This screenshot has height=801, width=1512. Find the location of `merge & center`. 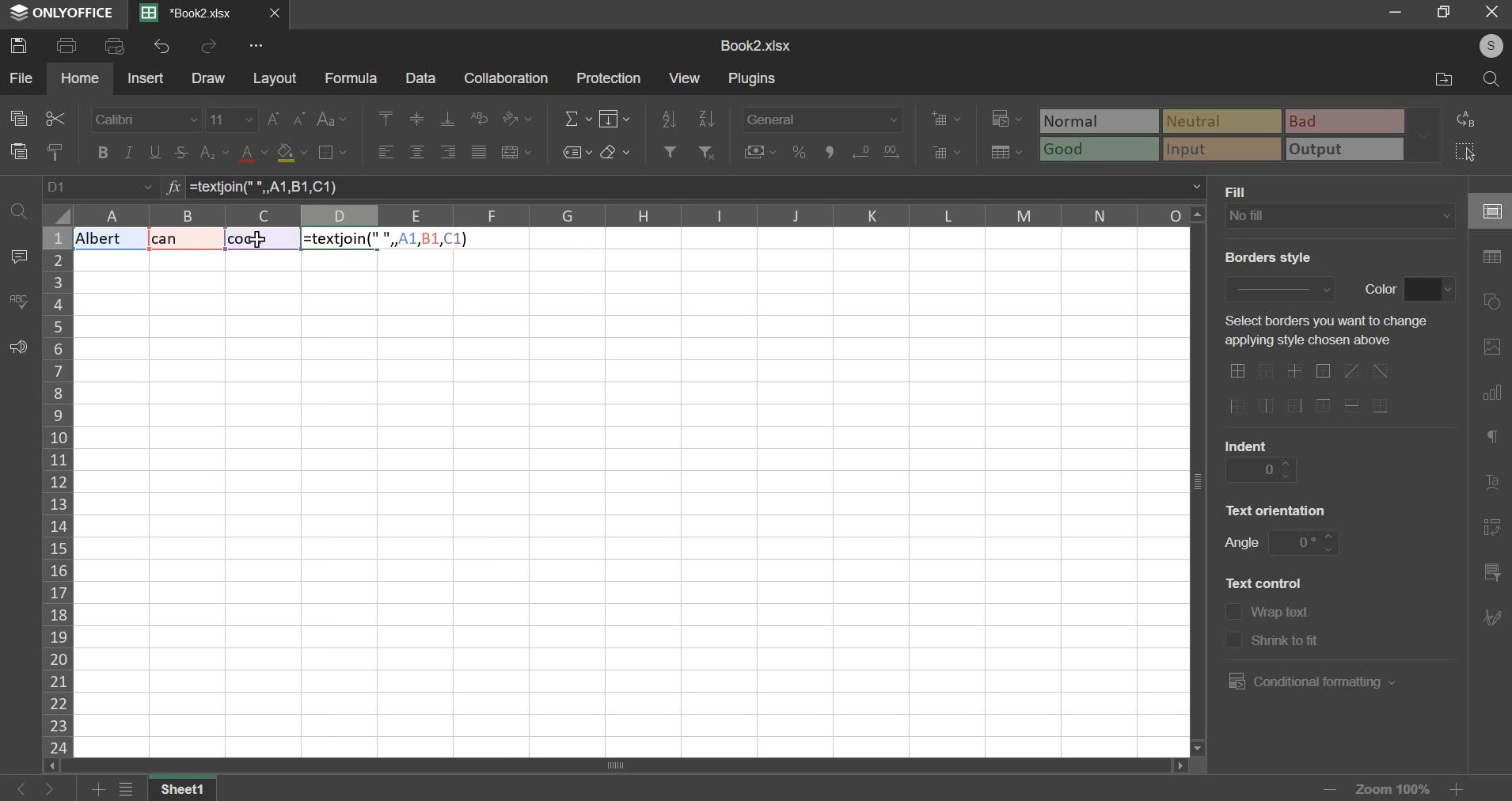

merge & center is located at coordinates (517, 152).